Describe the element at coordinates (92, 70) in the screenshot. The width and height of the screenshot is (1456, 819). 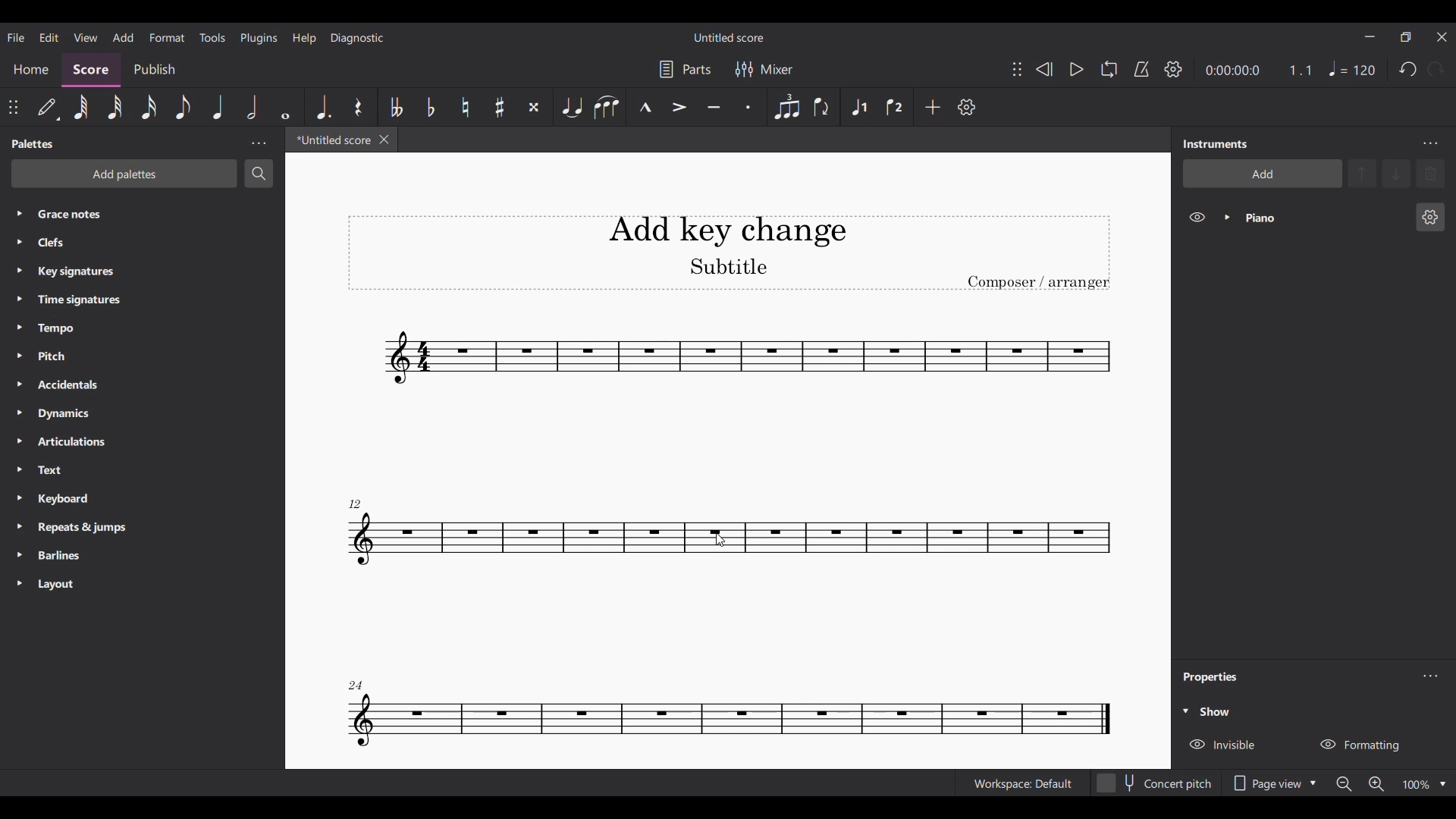
I see `Score, current section highlighted` at that location.